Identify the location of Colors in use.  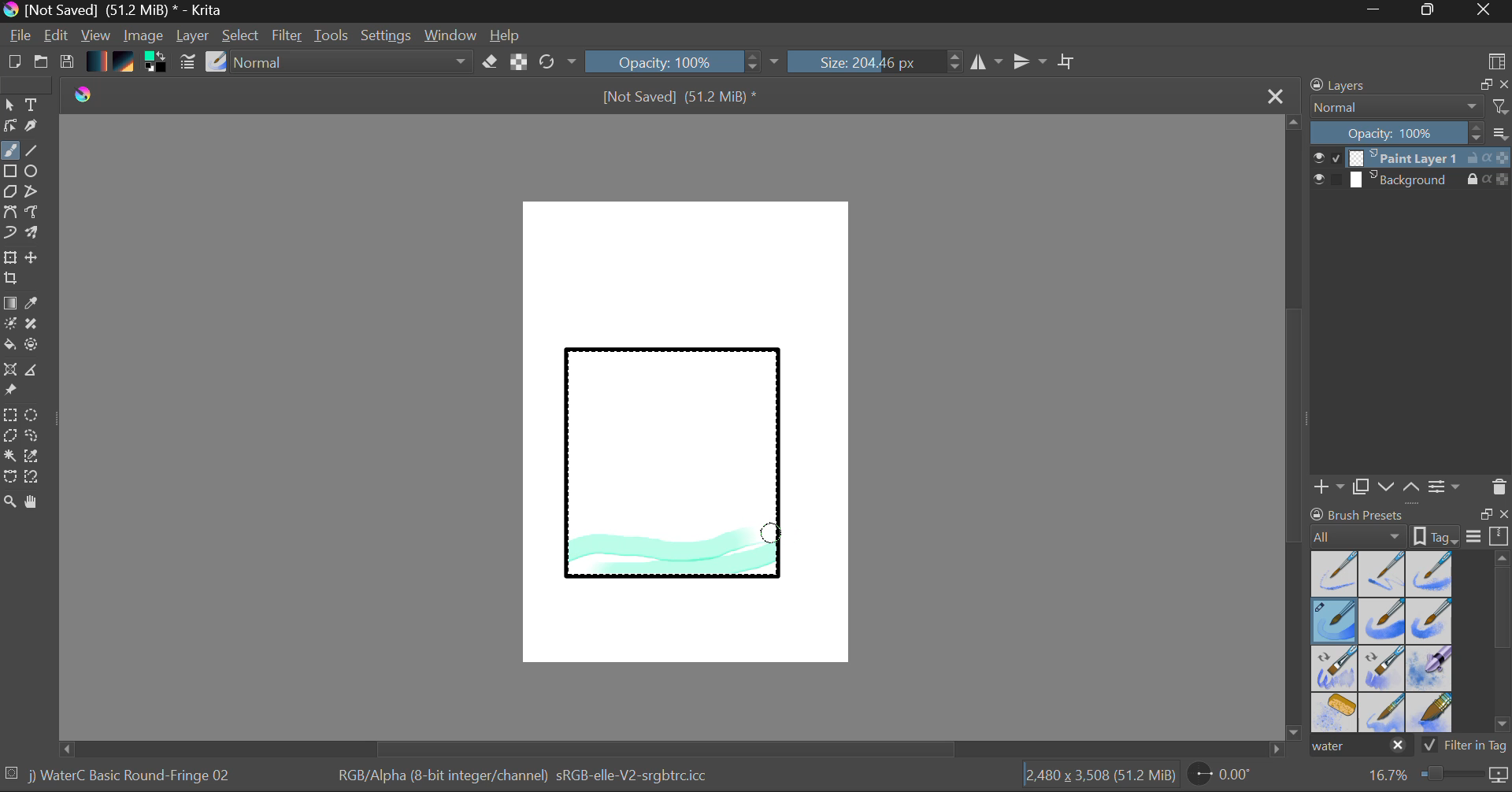
(157, 63).